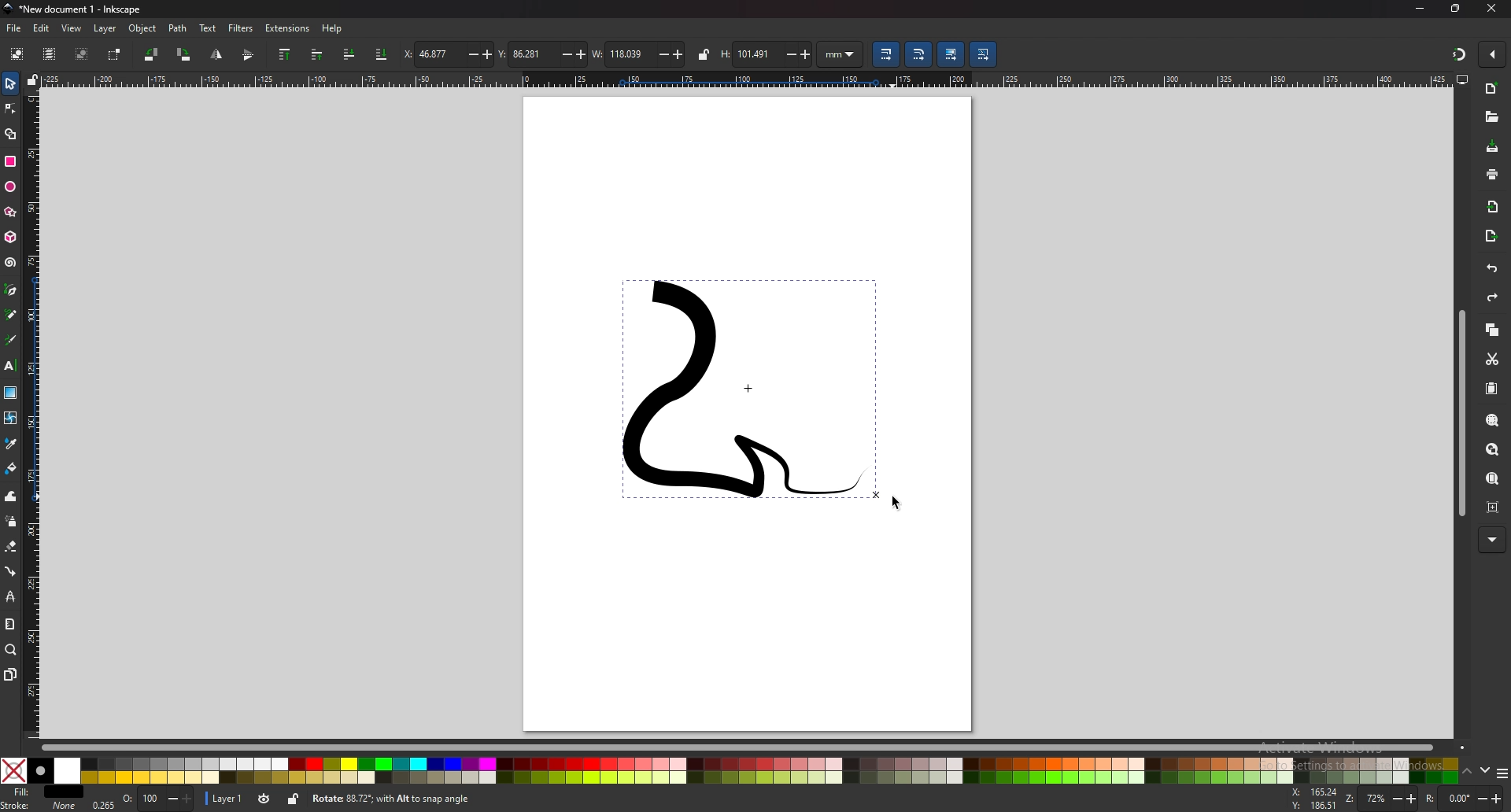 The height and width of the screenshot is (812, 1511). Describe the element at coordinates (105, 28) in the screenshot. I see `layer` at that location.